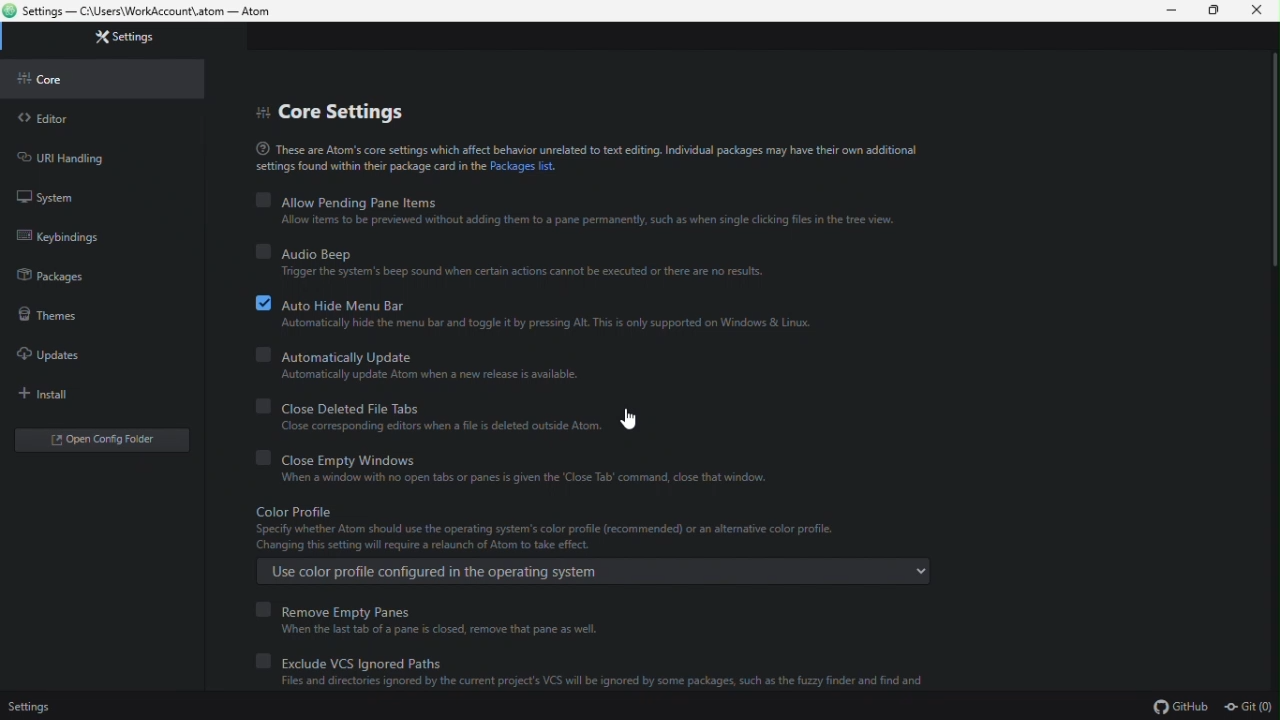 This screenshot has height=720, width=1280. Describe the element at coordinates (348, 201) in the screenshot. I see `Allow pending pane items` at that location.